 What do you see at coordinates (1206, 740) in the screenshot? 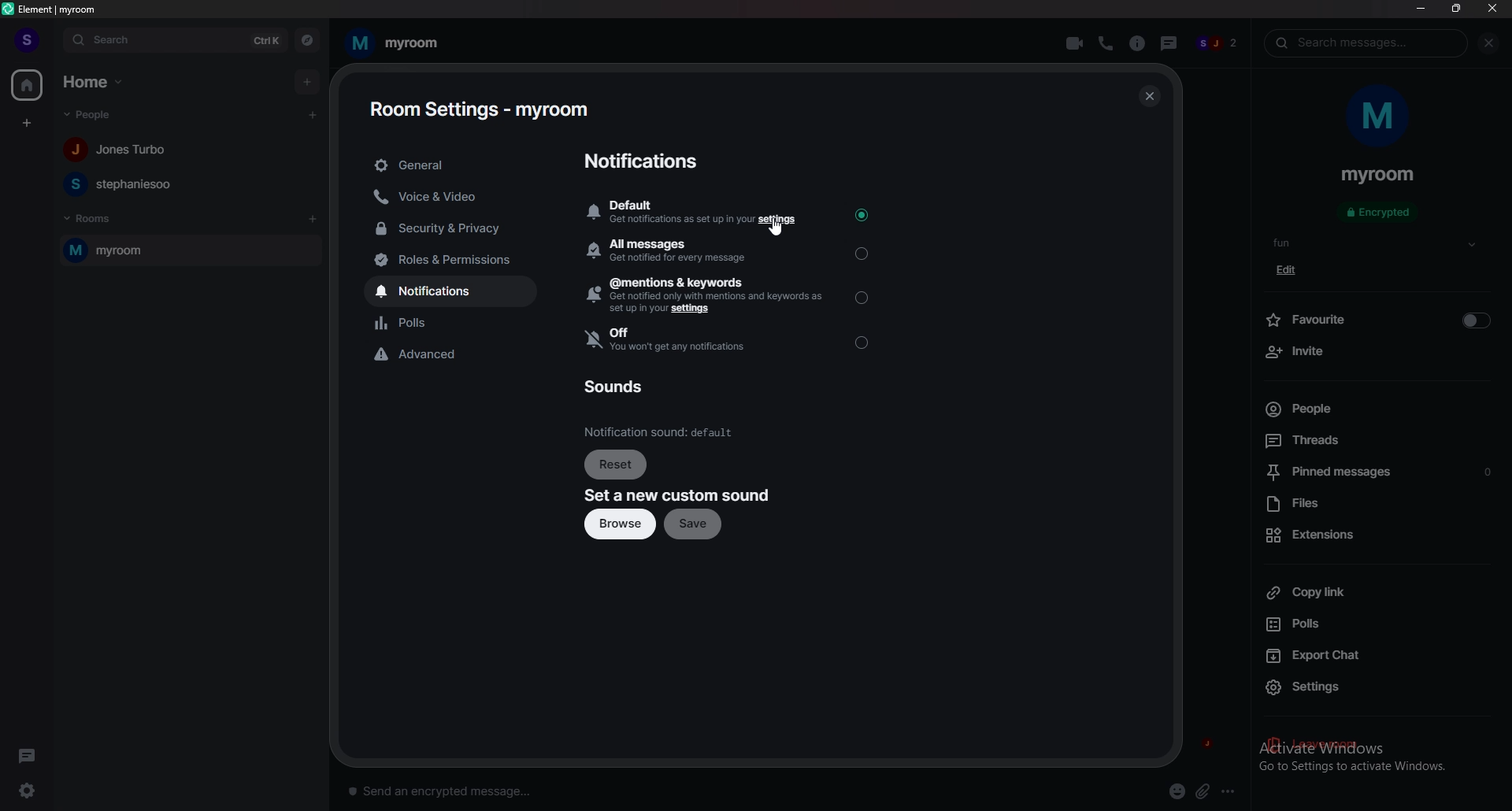
I see `j` at bounding box center [1206, 740].